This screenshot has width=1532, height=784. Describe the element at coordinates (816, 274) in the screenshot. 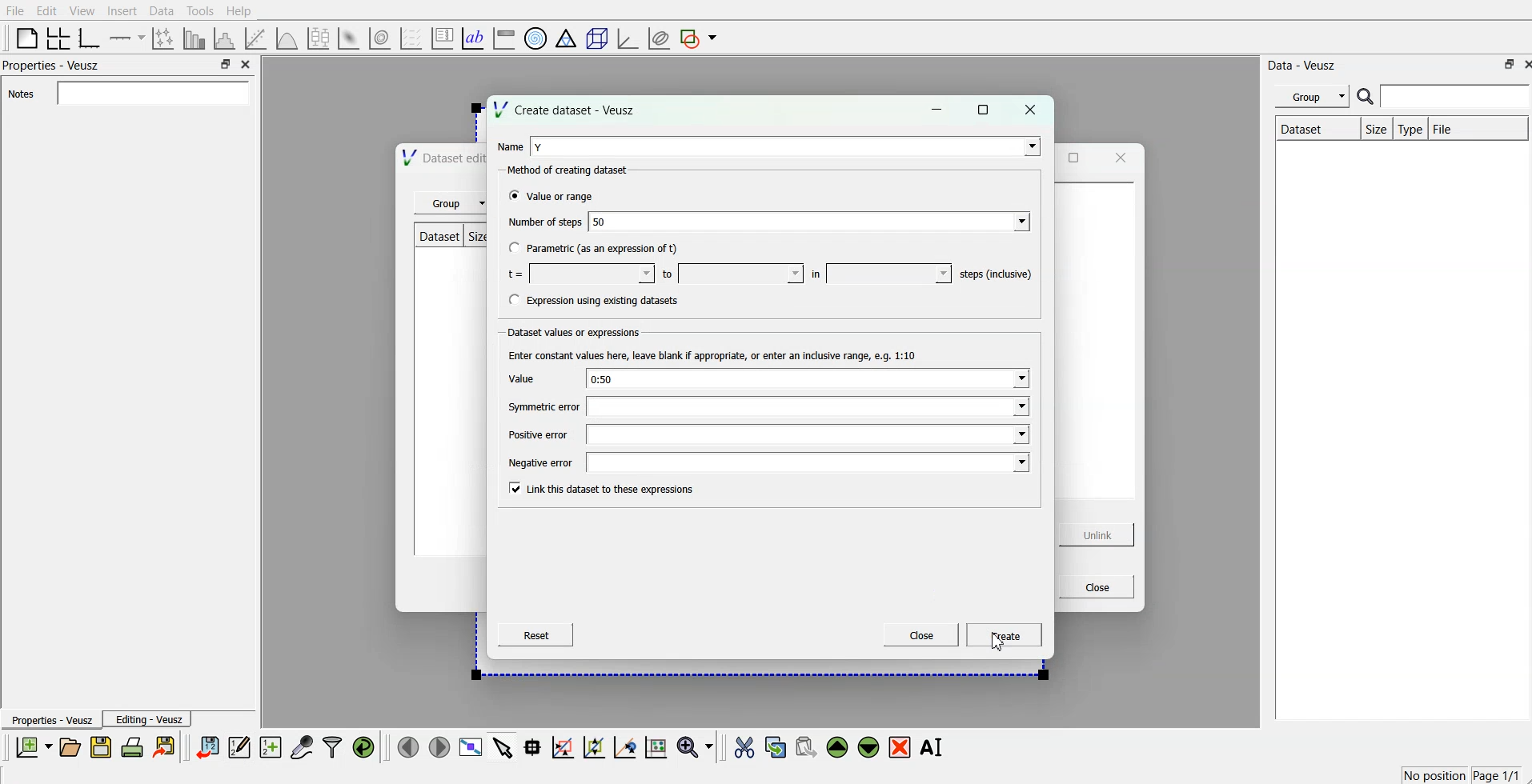

I see `in` at that location.